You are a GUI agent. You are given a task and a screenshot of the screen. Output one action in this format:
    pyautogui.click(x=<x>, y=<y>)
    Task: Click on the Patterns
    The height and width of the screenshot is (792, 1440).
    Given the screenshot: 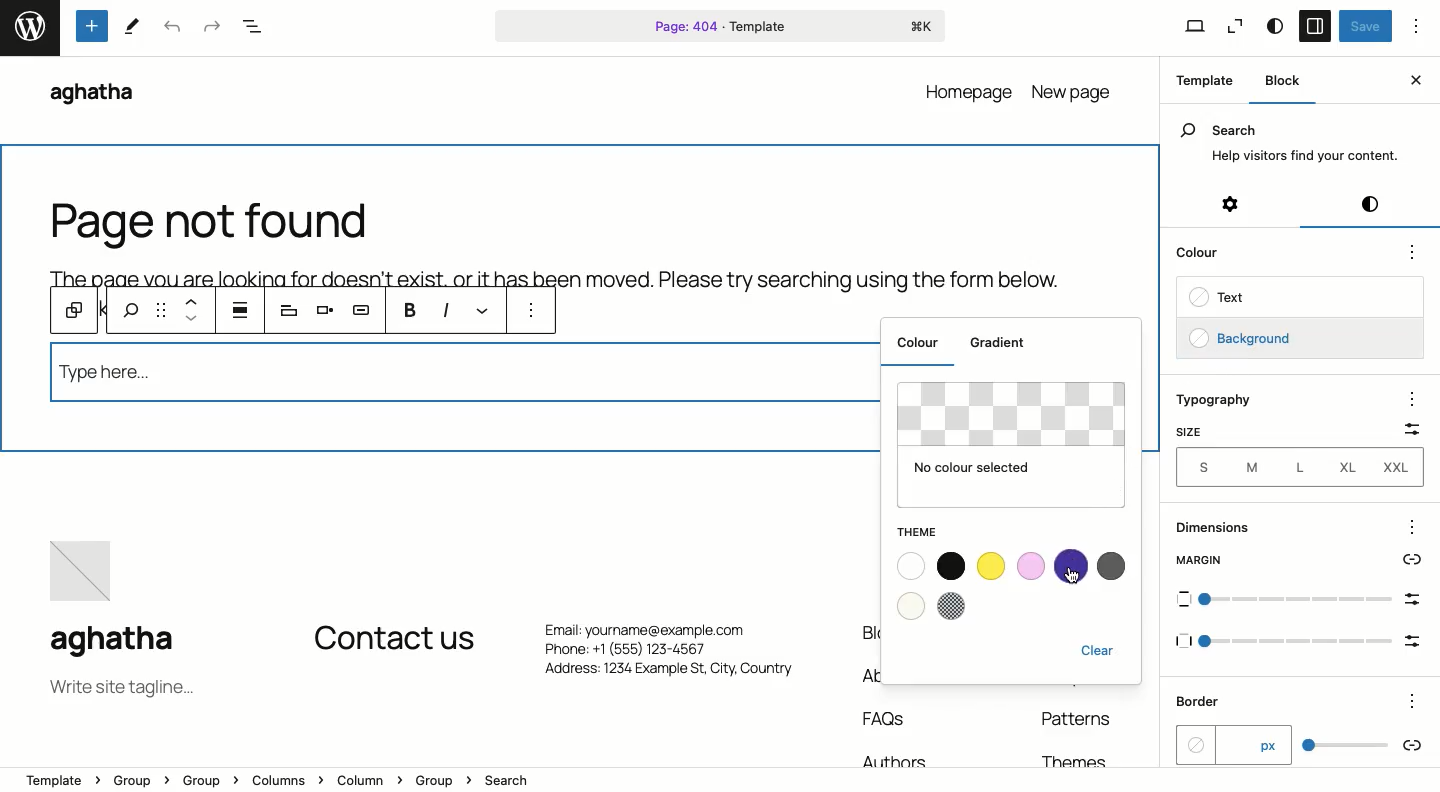 What is the action you would take?
    pyautogui.click(x=1081, y=725)
    